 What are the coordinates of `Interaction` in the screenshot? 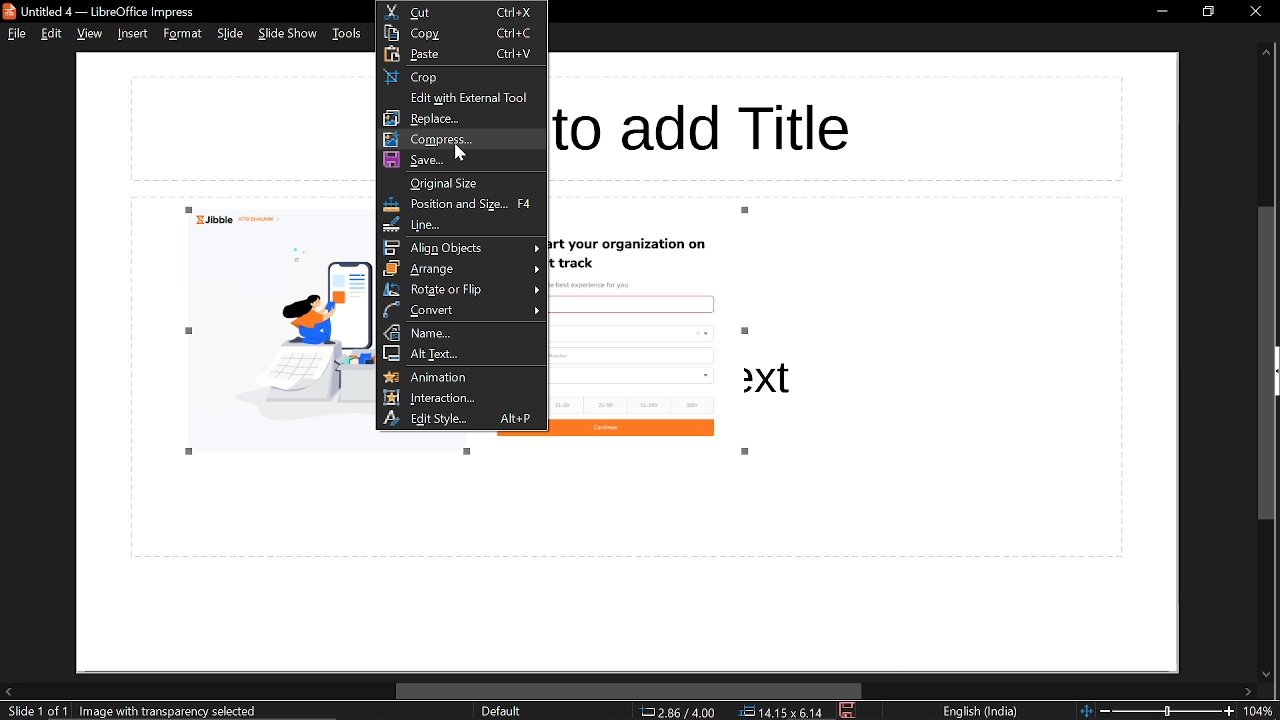 It's located at (462, 397).